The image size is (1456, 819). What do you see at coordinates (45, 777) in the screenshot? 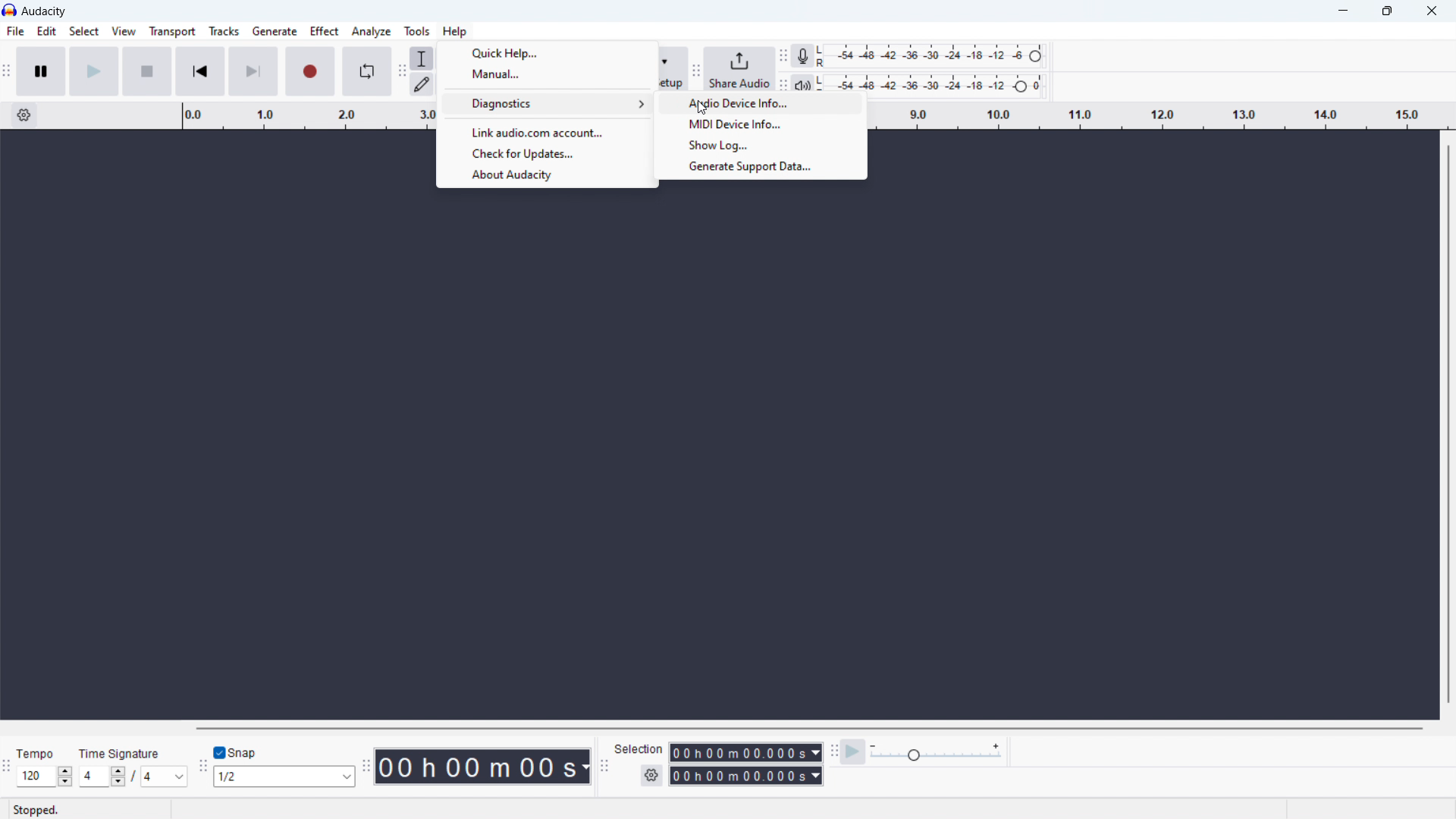
I see `set tempo` at bounding box center [45, 777].